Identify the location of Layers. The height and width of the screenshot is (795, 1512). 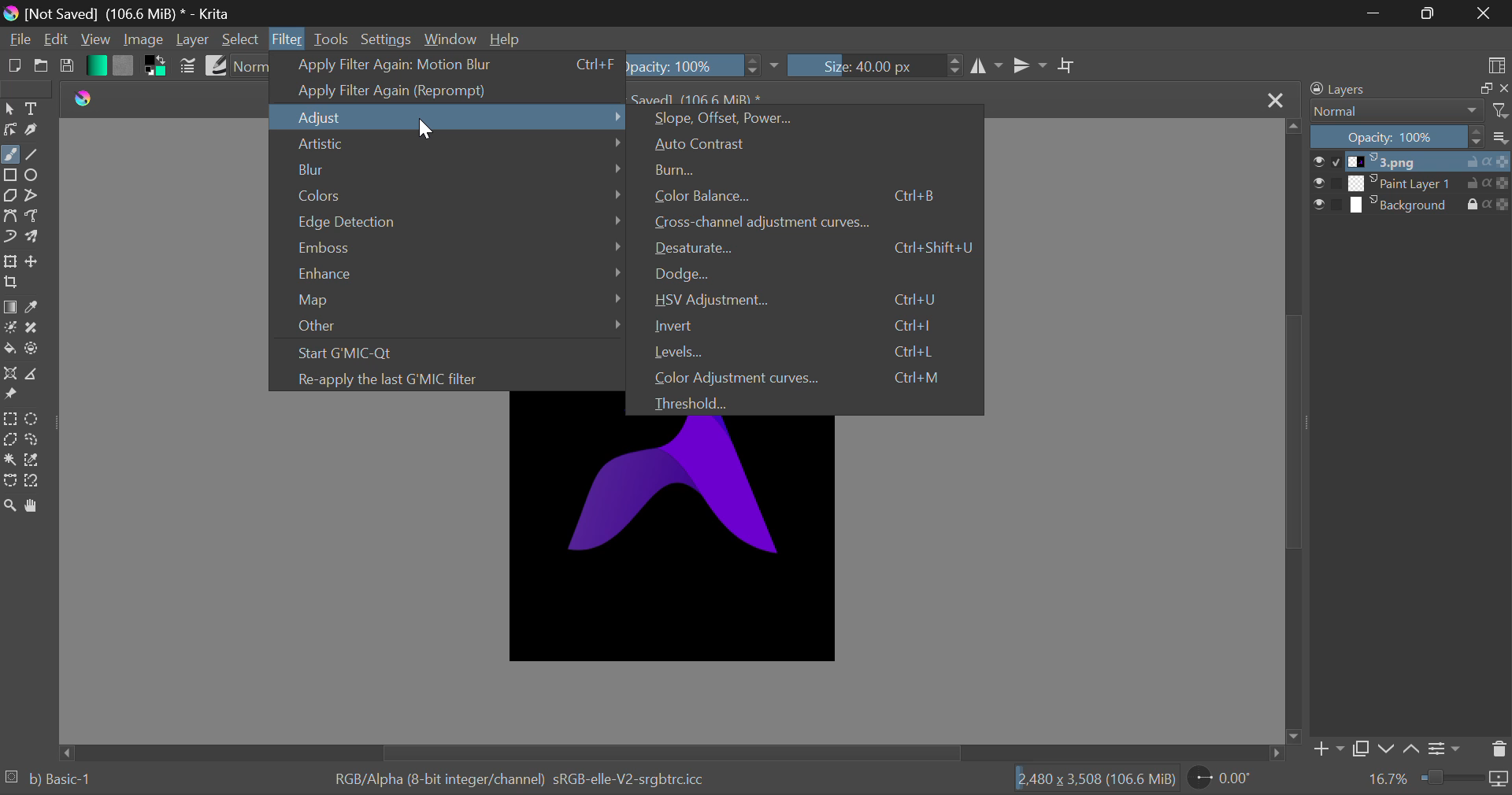
(1372, 89).